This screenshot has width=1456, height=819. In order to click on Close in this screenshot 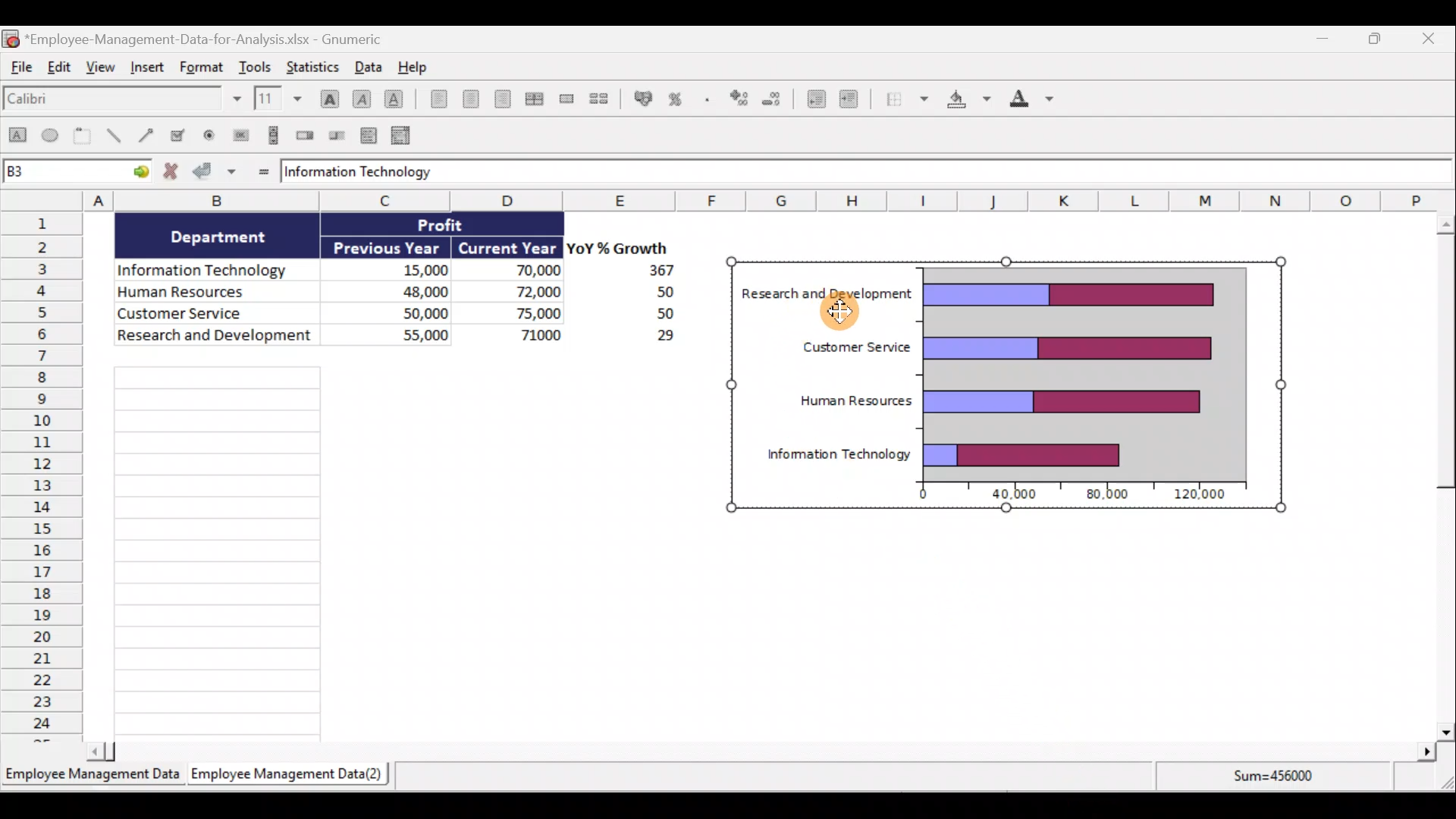, I will do `click(1432, 39)`.